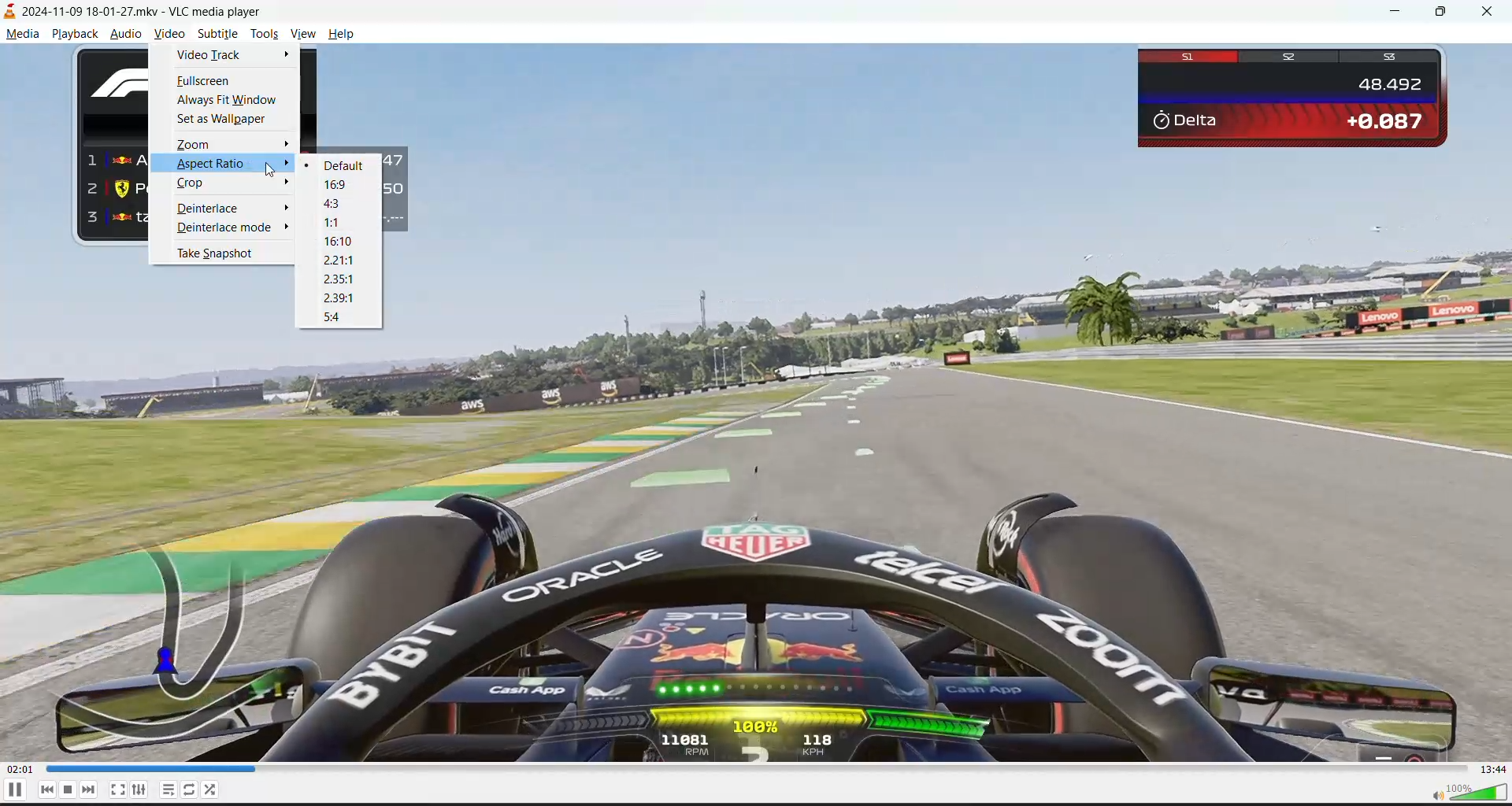 The image size is (1512, 806). I want to click on track slider, so click(755, 769).